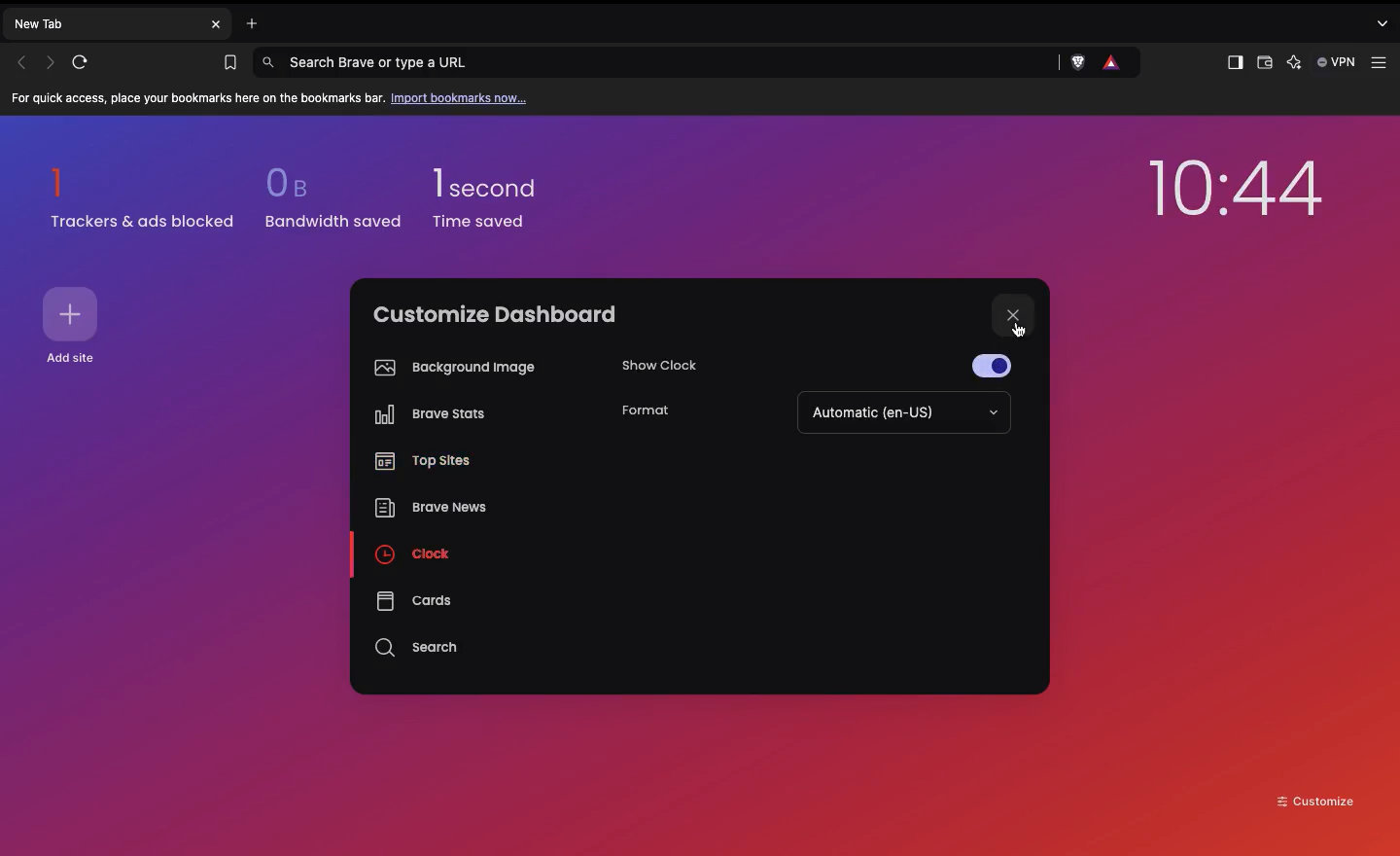  What do you see at coordinates (87, 62) in the screenshot?
I see `Refresh page` at bounding box center [87, 62].